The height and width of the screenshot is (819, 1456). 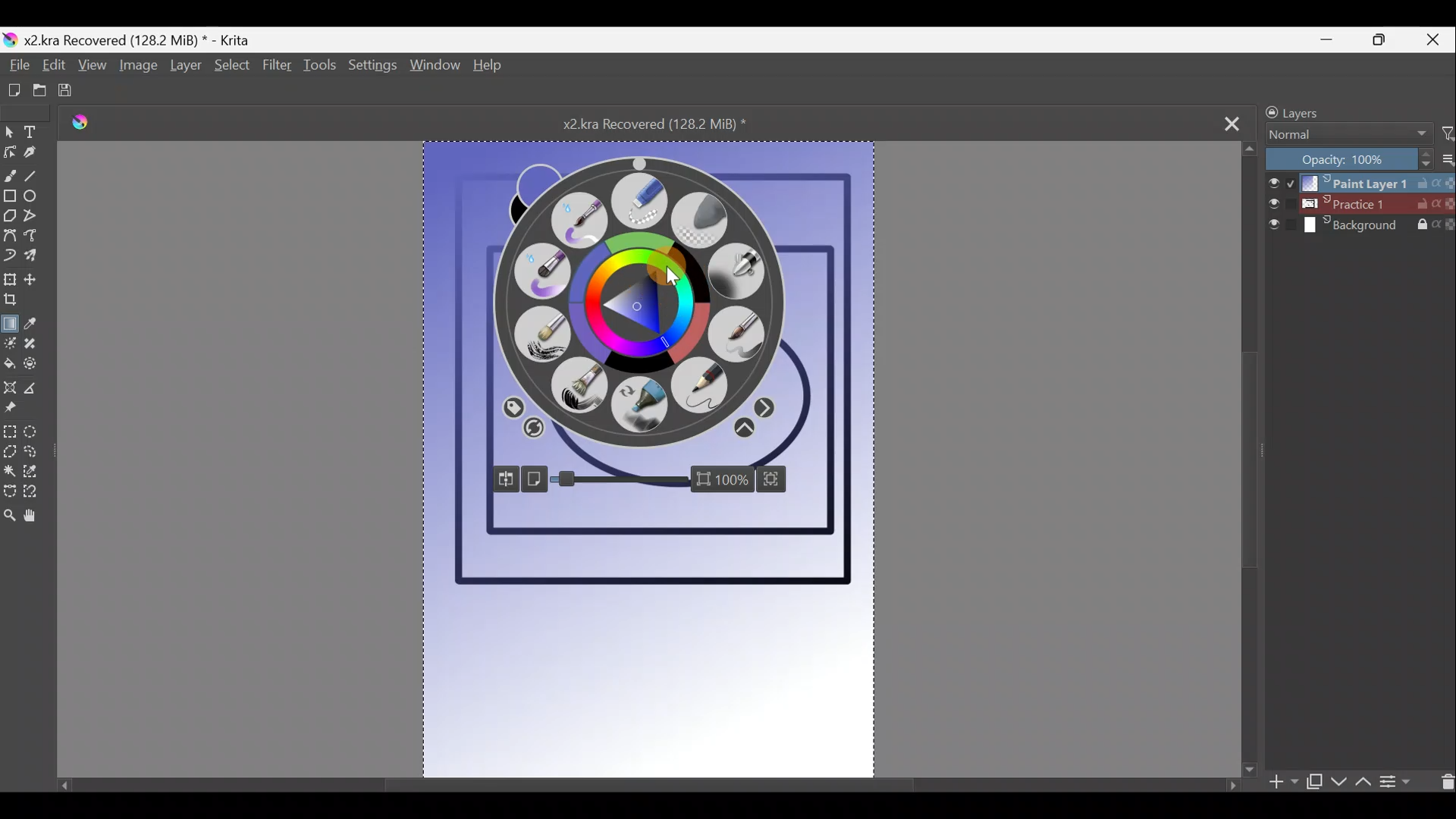 What do you see at coordinates (585, 389) in the screenshot?
I see `Bristles 2 flat rough` at bounding box center [585, 389].